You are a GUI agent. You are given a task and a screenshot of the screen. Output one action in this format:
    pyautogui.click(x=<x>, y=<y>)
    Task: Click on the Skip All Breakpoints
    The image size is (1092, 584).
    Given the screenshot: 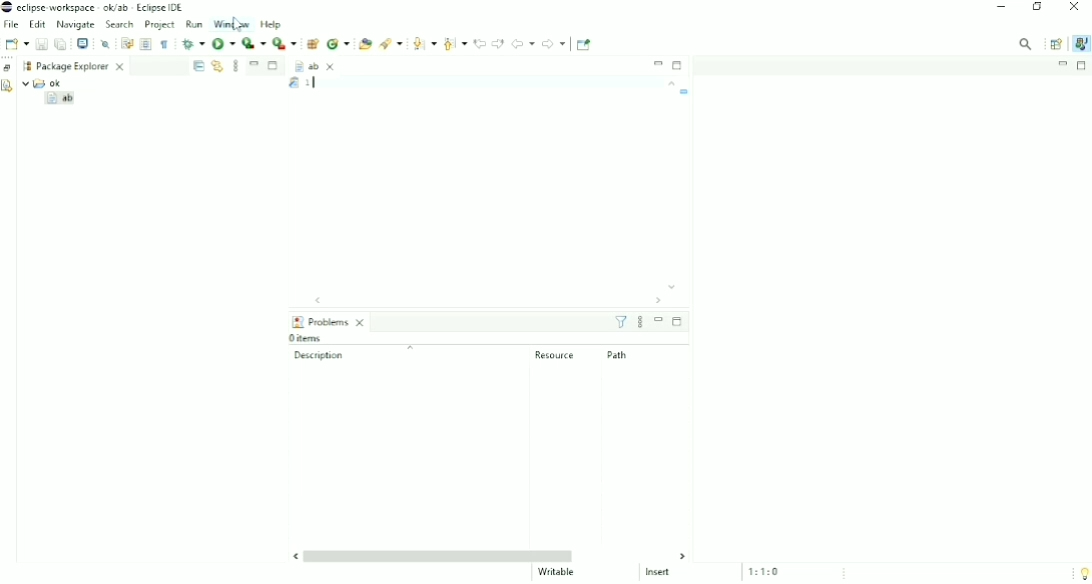 What is the action you would take?
    pyautogui.click(x=106, y=43)
    